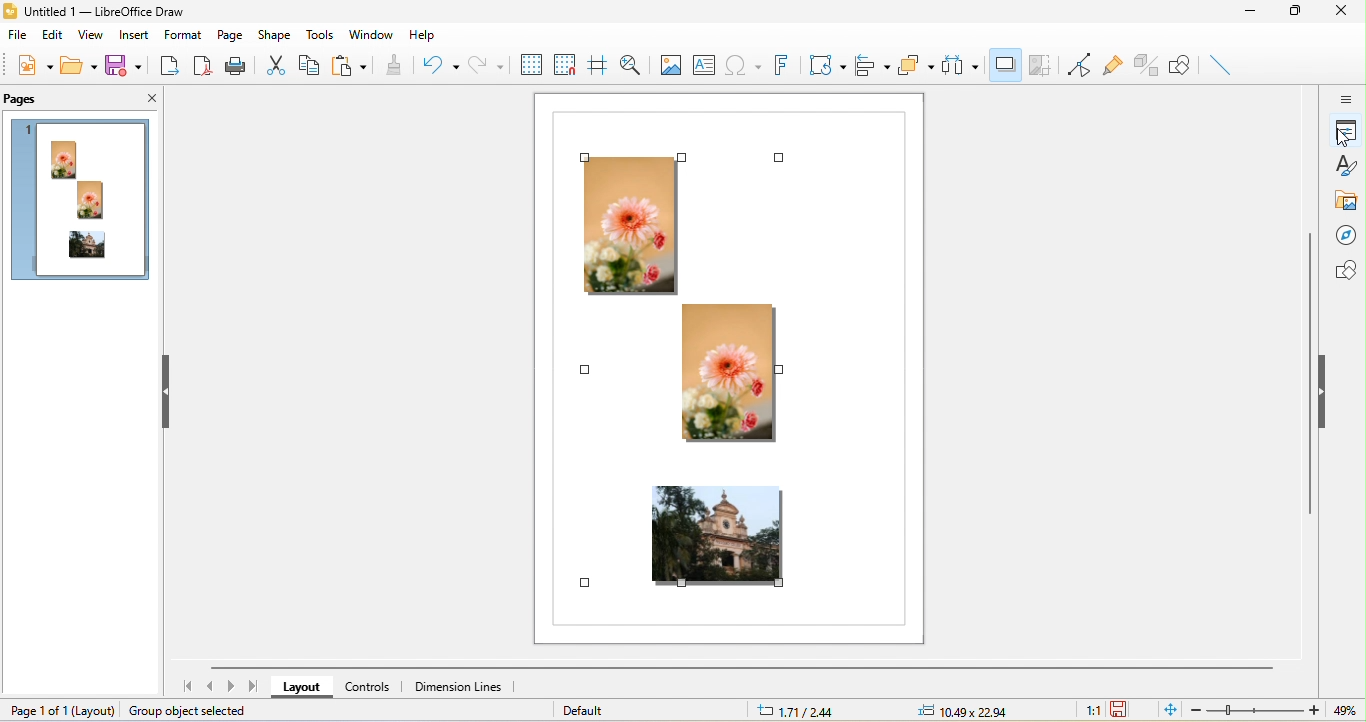  What do you see at coordinates (721, 361) in the screenshot?
I see `select image` at bounding box center [721, 361].